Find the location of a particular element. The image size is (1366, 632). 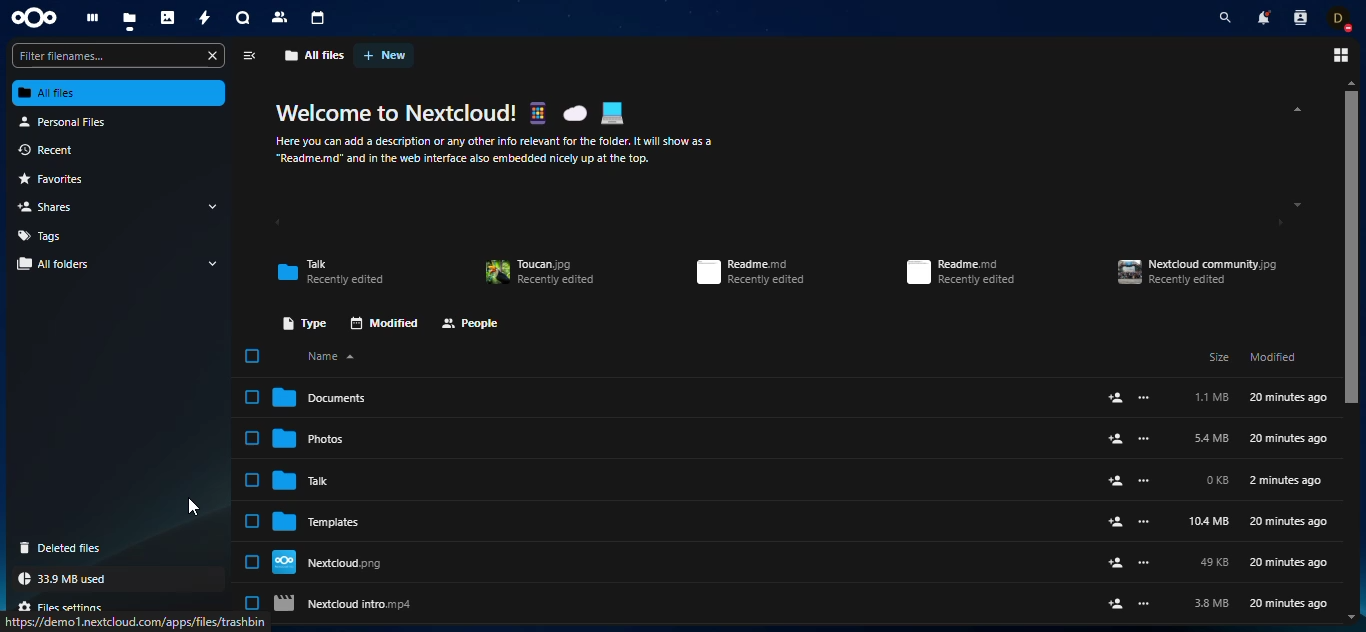

Readme.md Recently edited is located at coordinates (753, 272).